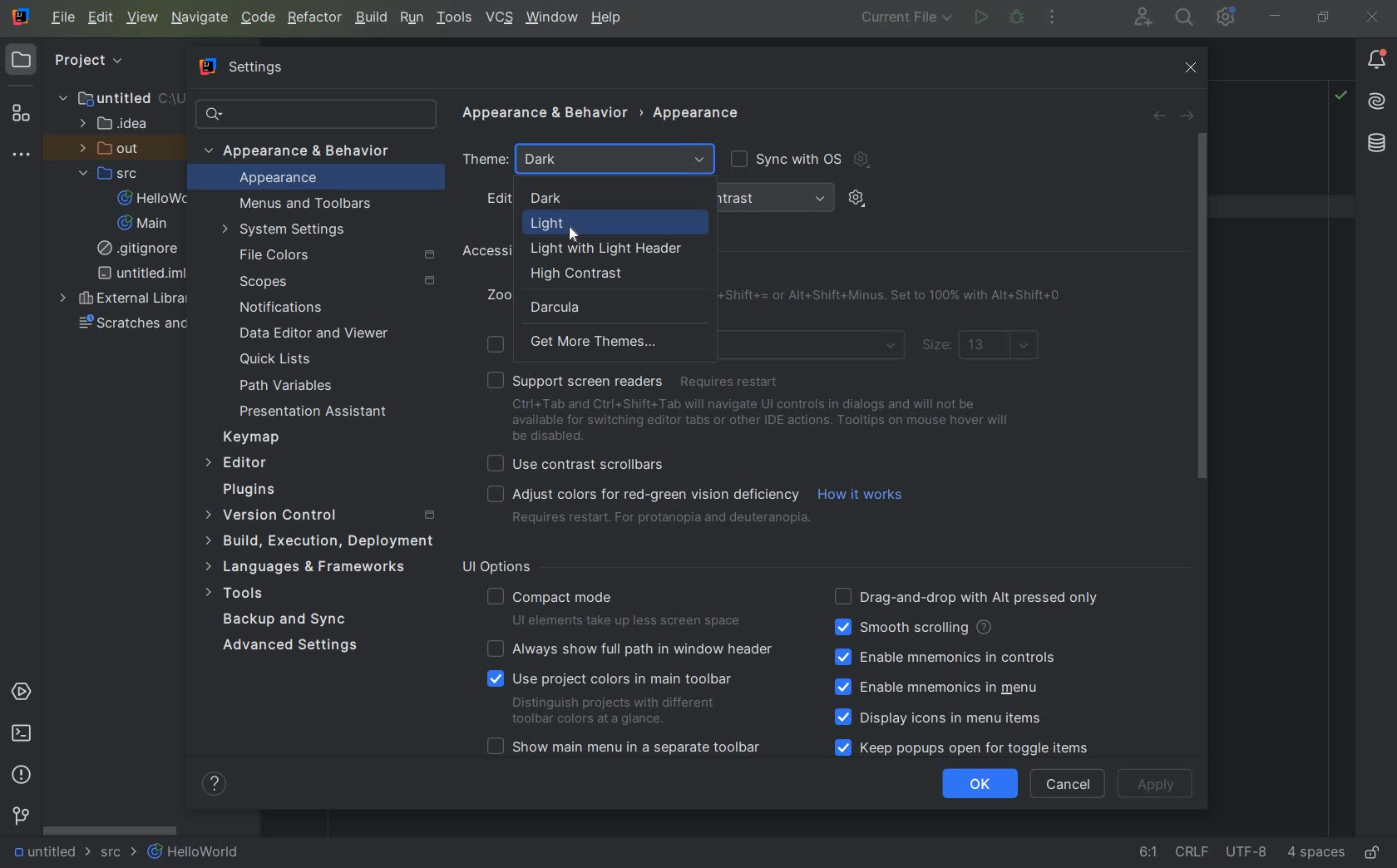 This screenshot has width=1397, height=868. What do you see at coordinates (324, 179) in the screenshot?
I see `APPEARANCE(selected)` at bounding box center [324, 179].